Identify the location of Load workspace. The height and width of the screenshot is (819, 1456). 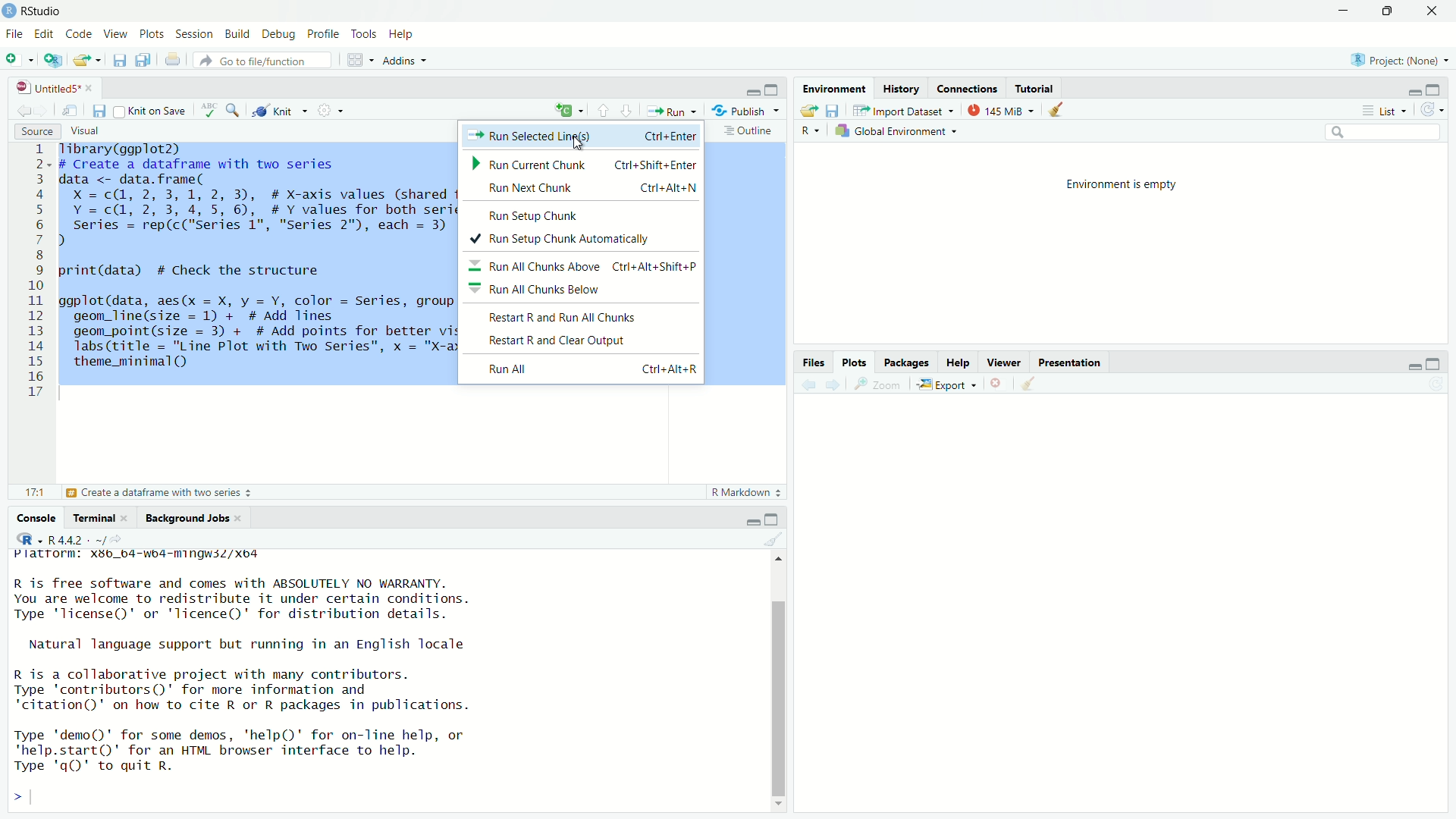
(809, 111).